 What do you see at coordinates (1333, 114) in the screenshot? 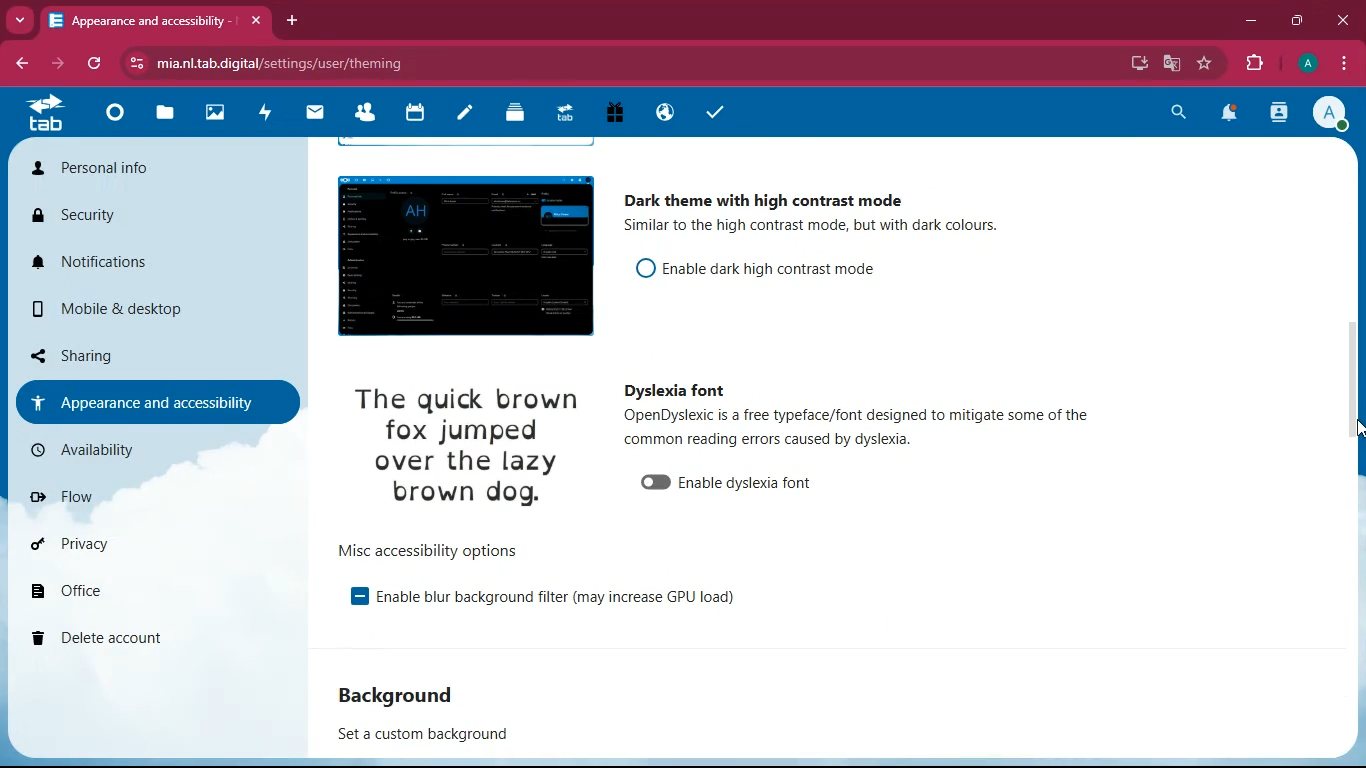
I see `profile` at bounding box center [1333, 114].